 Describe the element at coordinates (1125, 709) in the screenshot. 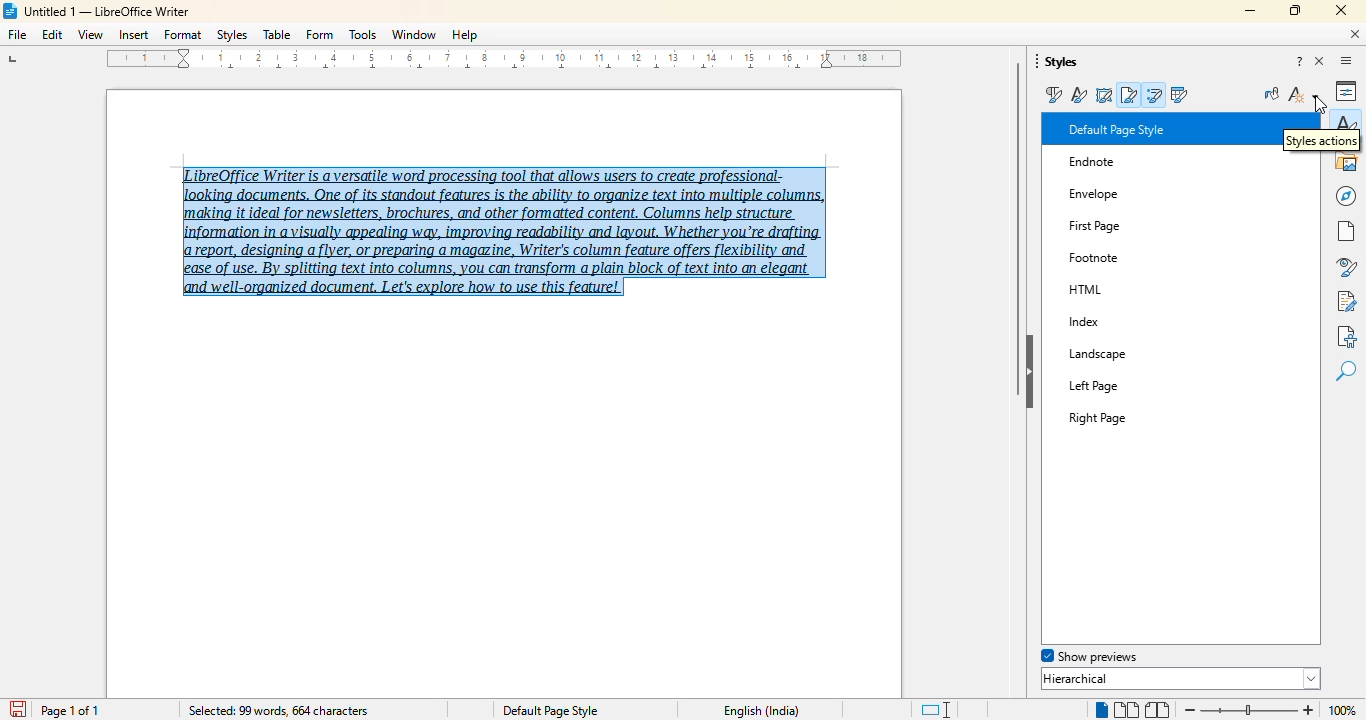

I see `multi-page view` at that location.